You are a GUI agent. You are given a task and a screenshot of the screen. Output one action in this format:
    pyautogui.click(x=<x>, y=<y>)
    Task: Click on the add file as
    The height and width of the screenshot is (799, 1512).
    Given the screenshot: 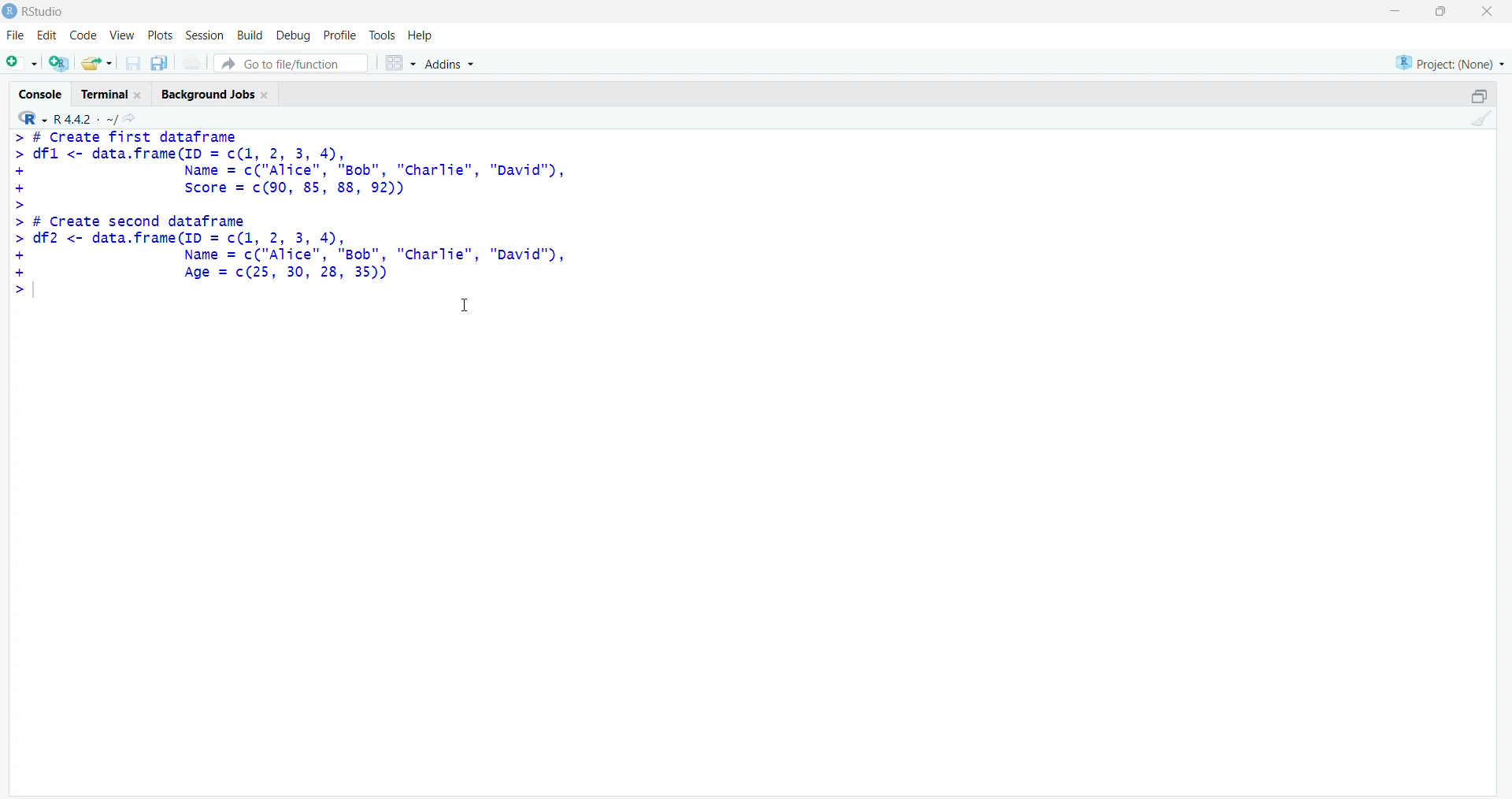 What is the action you would take?
    pyautogui.click(x=25, y=62)
    